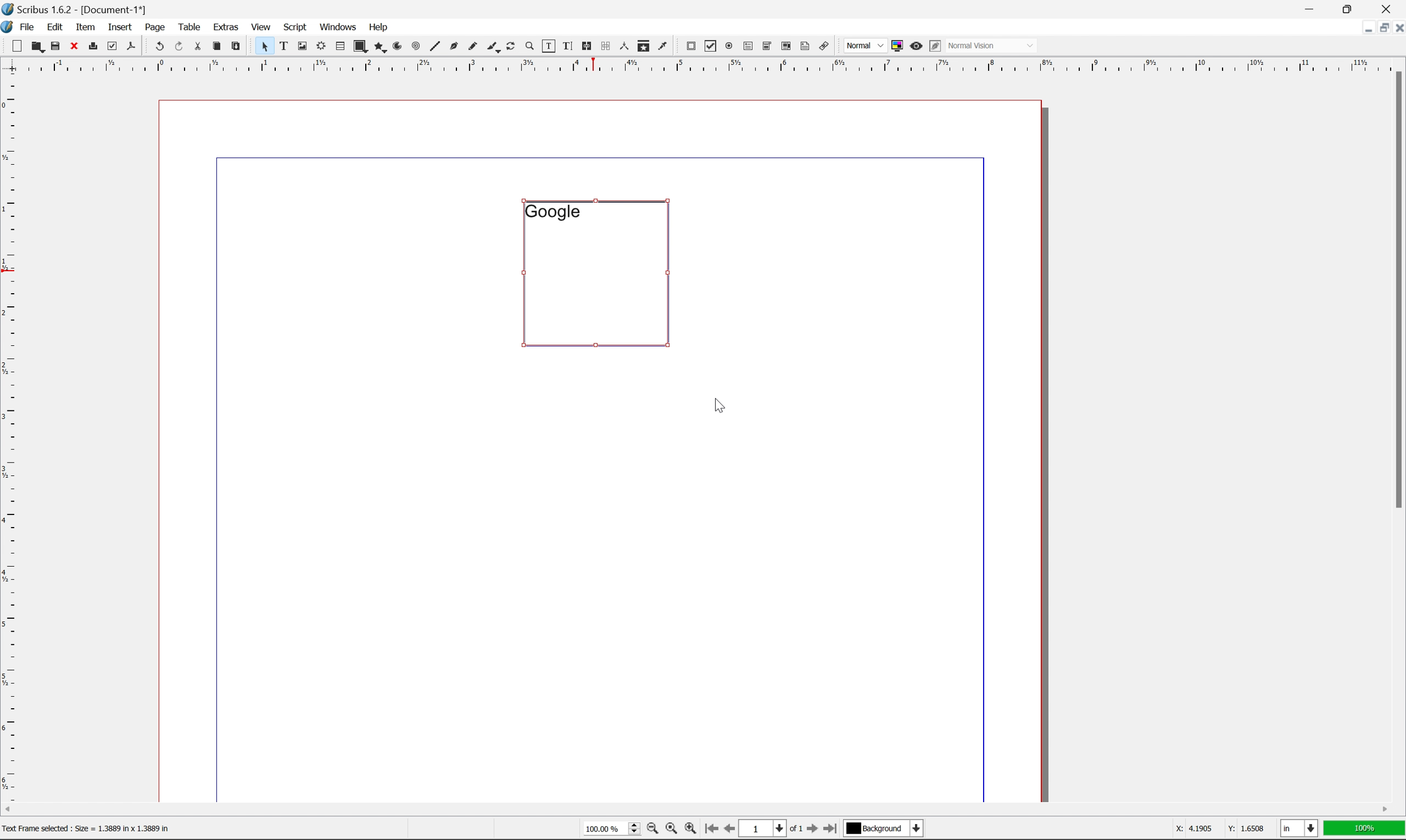  I want to click on minimize, so click(1311, 8).